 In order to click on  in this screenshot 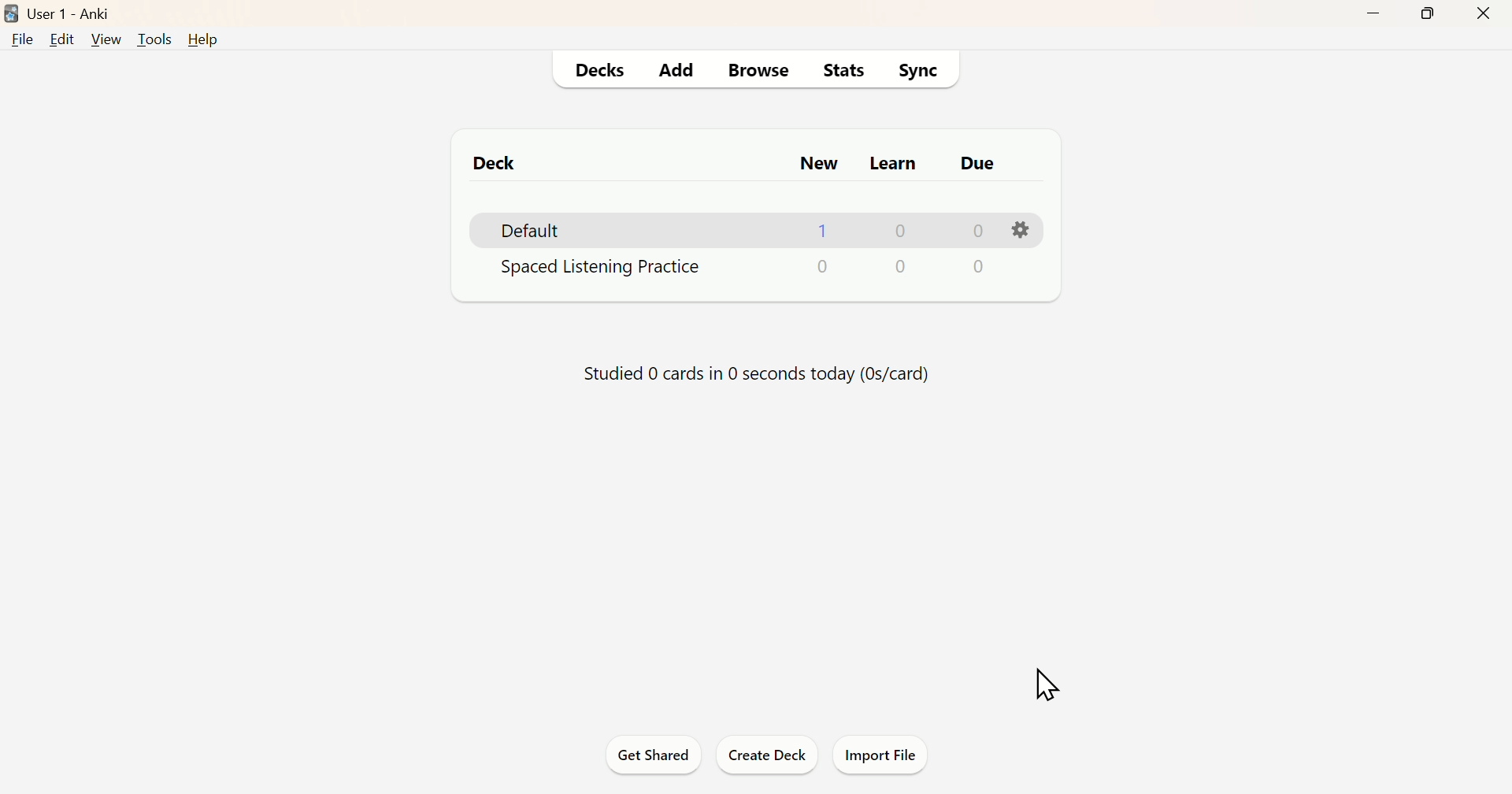, I will do `click(760, 369)`.